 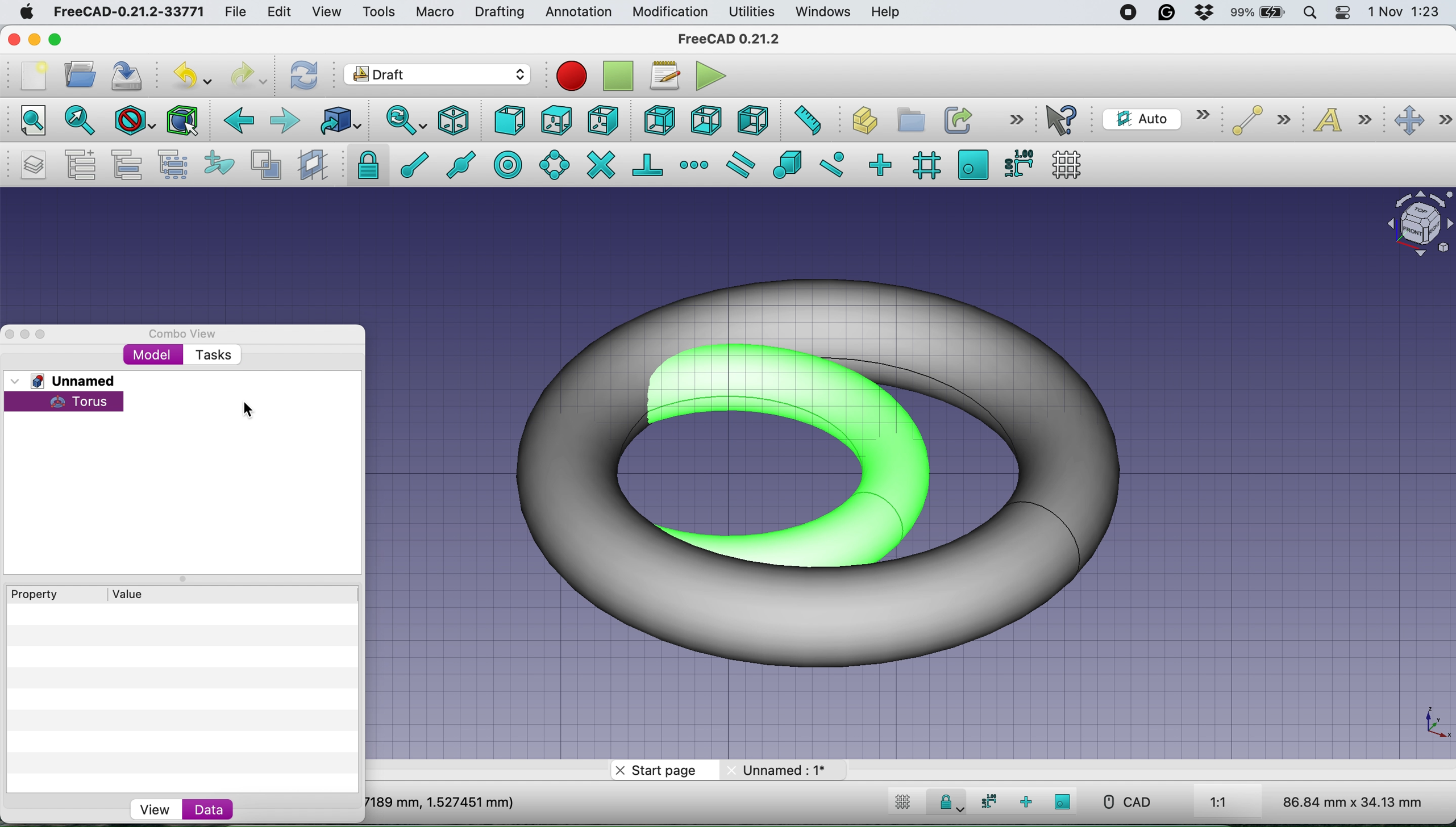 I want to click on toggle grid, so click(x=903, y=804).